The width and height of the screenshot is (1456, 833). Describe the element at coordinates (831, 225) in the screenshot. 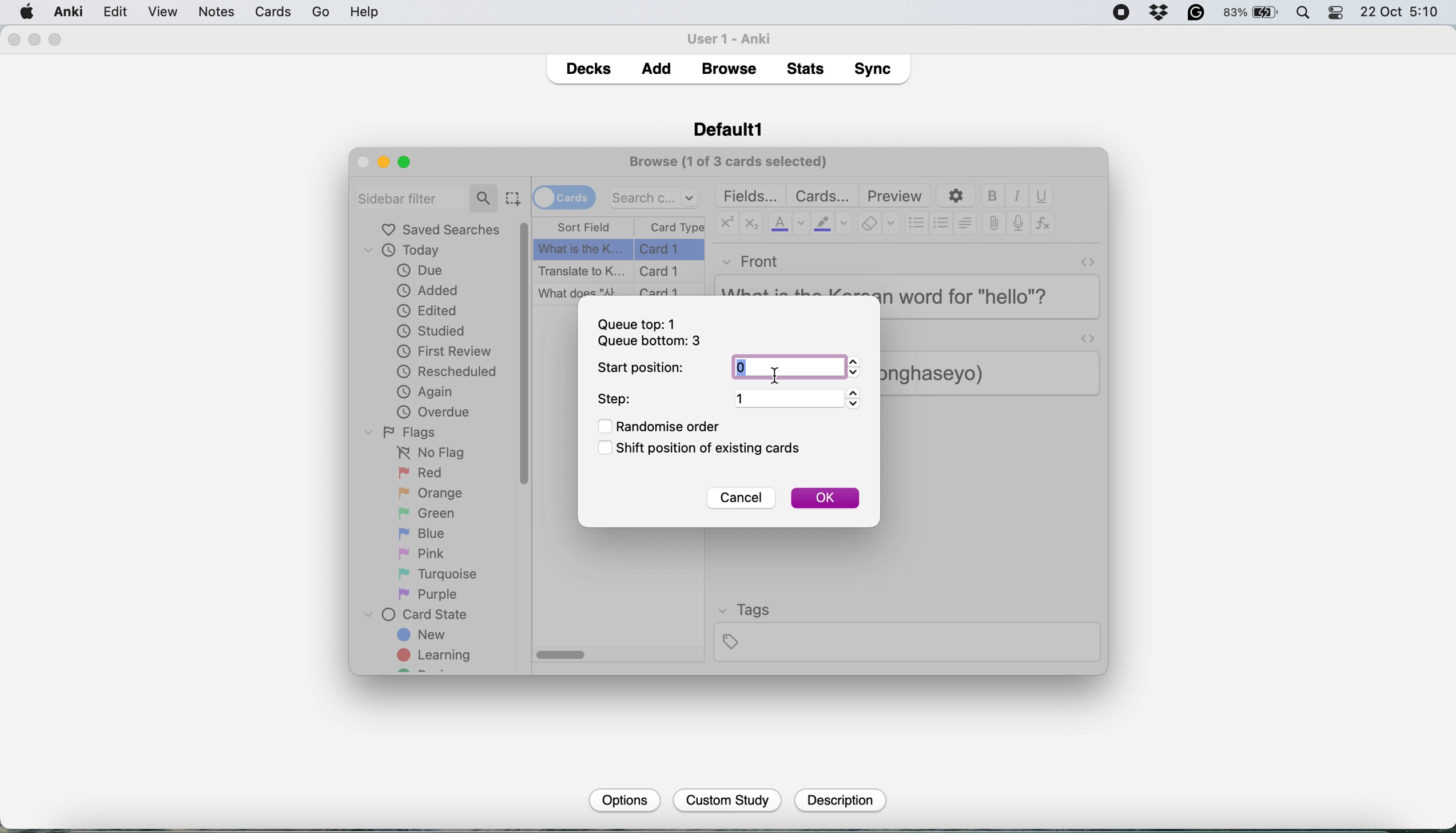

I see `highlight color` at that location.